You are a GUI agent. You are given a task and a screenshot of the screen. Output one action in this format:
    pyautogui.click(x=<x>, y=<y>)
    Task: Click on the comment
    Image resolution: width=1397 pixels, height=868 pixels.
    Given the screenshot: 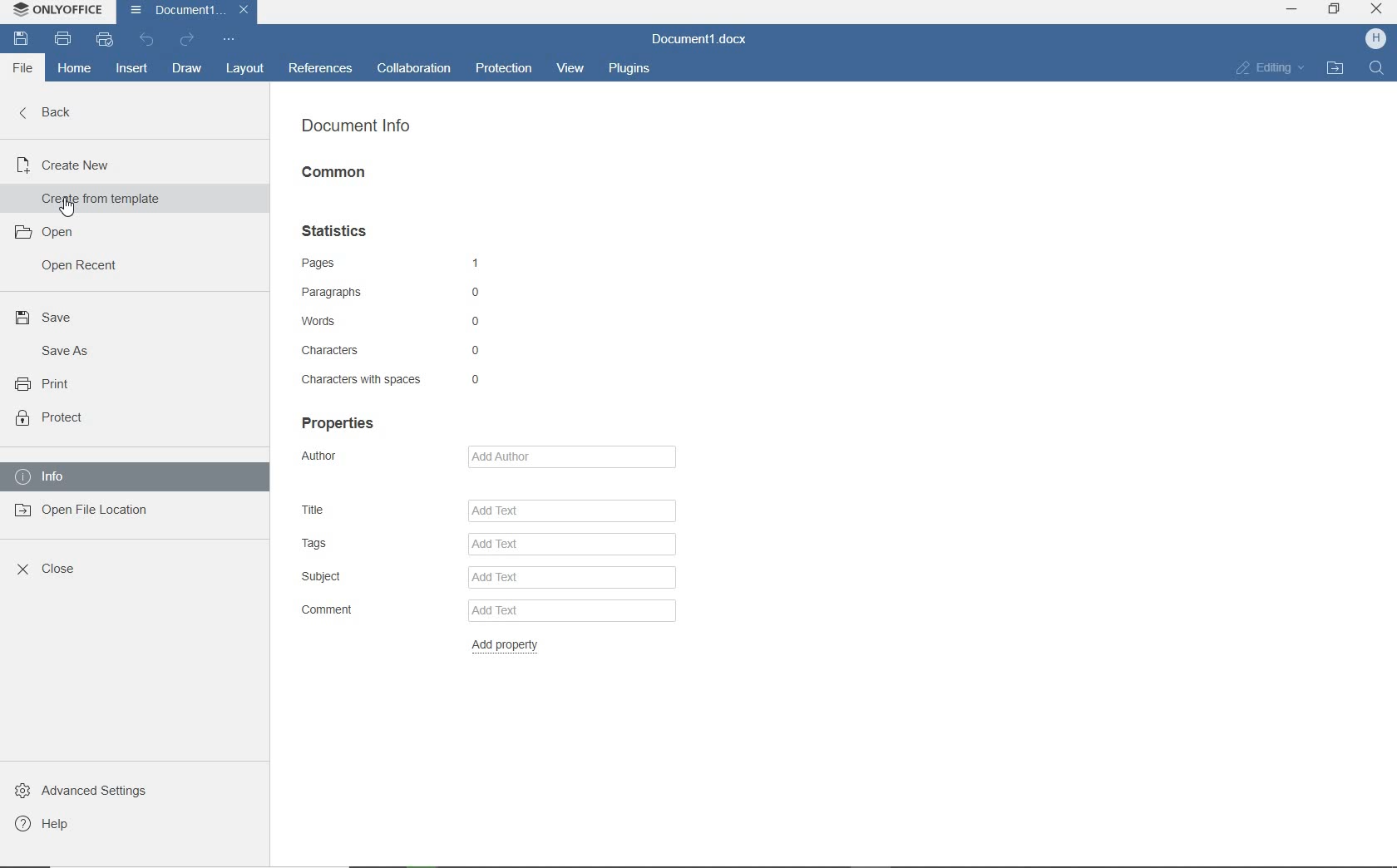 What is the action you would take?
    pyautogui.click(x=486, y=611)
    